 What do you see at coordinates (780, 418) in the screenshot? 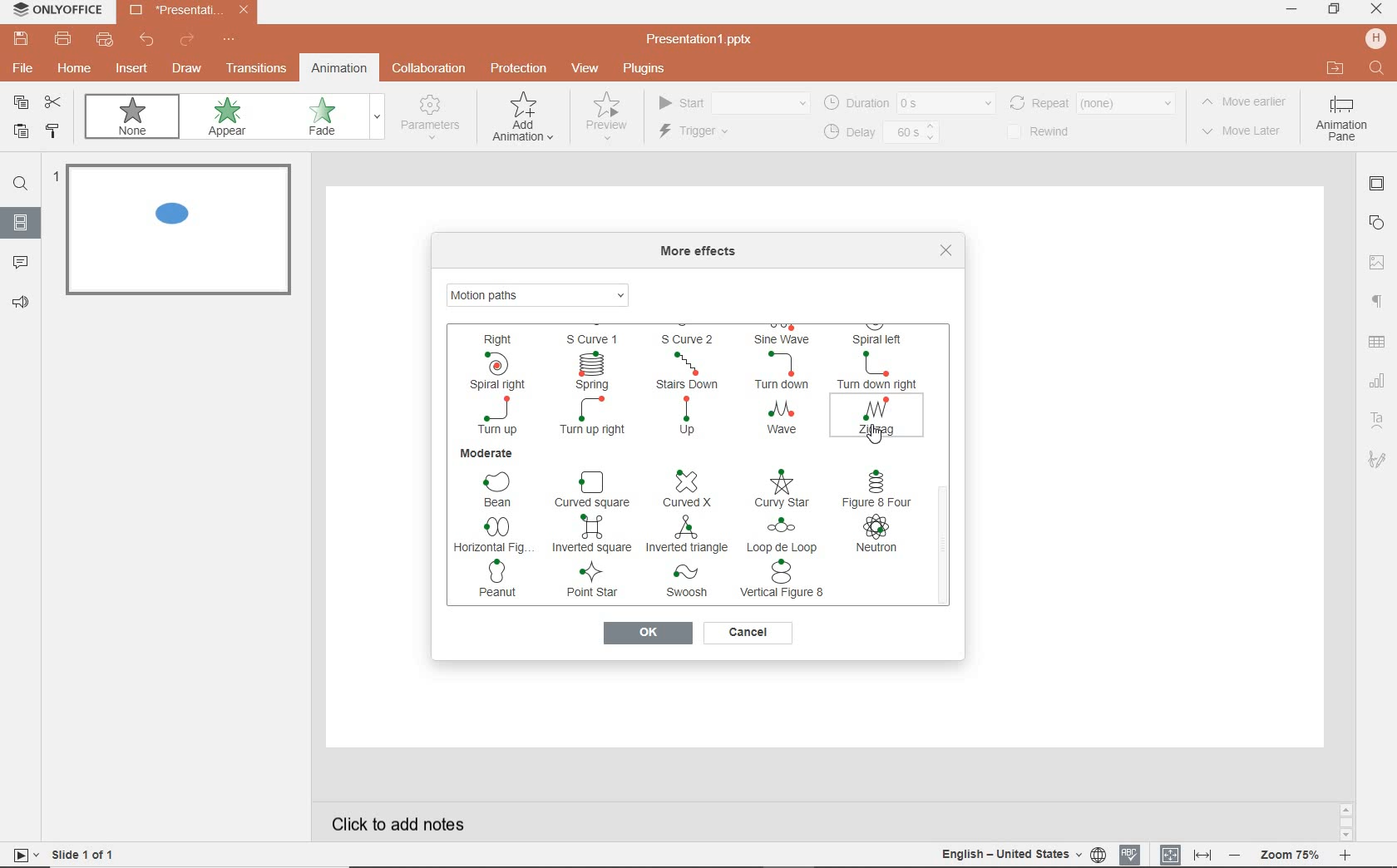
I see `ave` at bounding box center [780, 418].